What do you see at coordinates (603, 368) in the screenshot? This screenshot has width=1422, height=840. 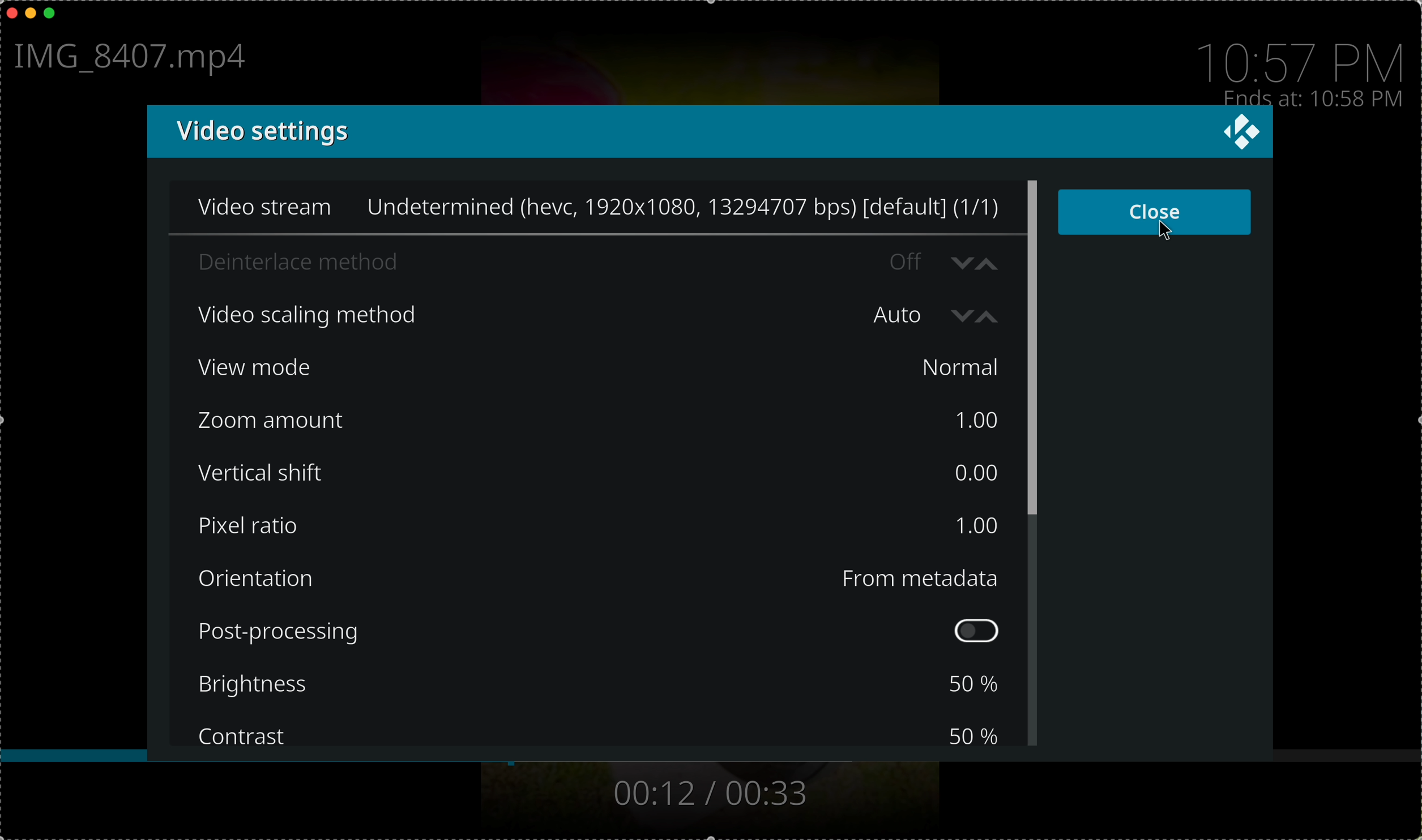 I see `view mode  Normal` at bounding box center [603, 368].